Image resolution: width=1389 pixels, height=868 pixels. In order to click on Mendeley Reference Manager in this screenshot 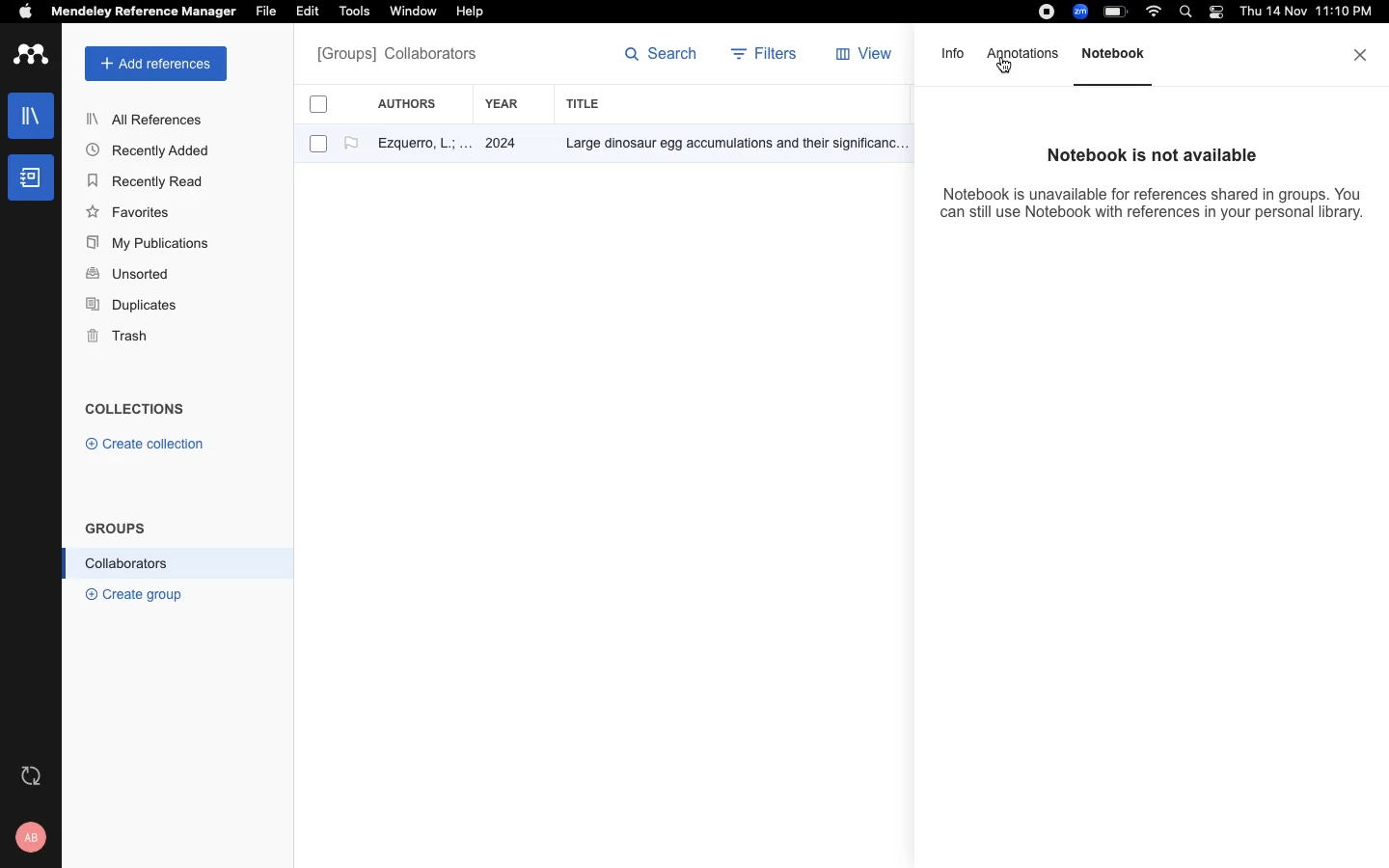, I will do `click(144, 13)`.